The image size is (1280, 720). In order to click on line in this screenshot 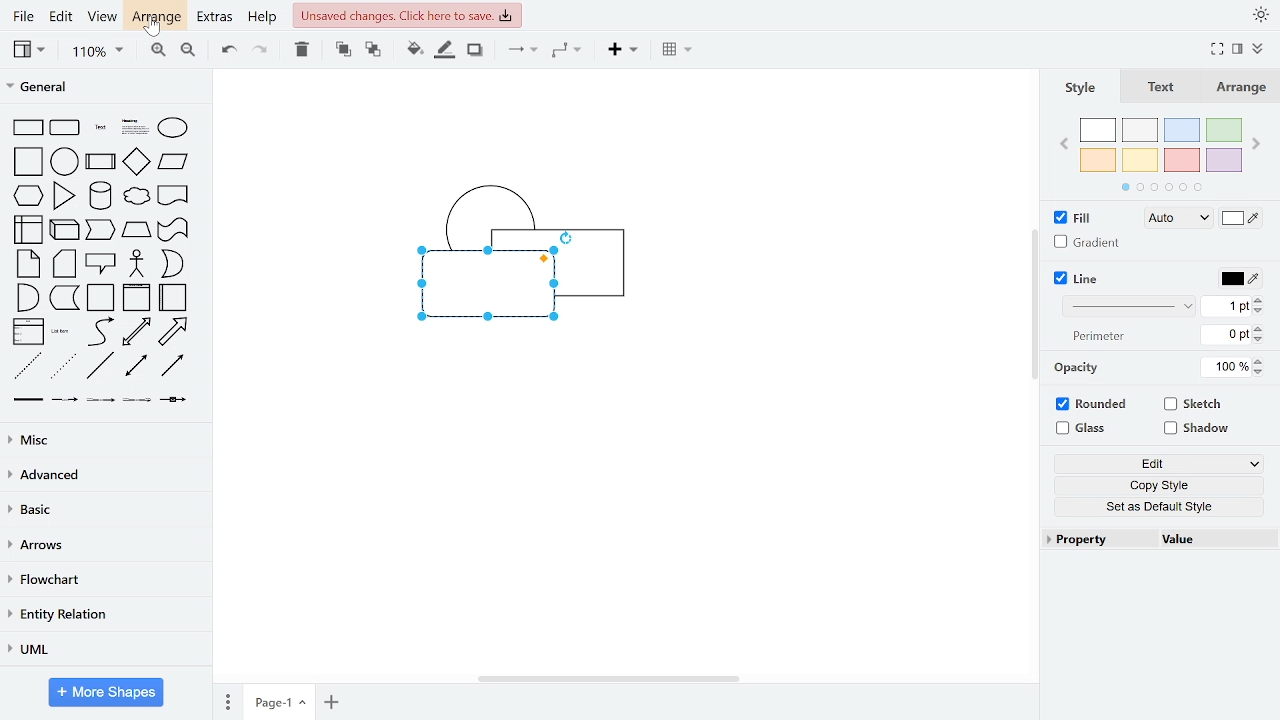, I will do `click(1078, 278)`.